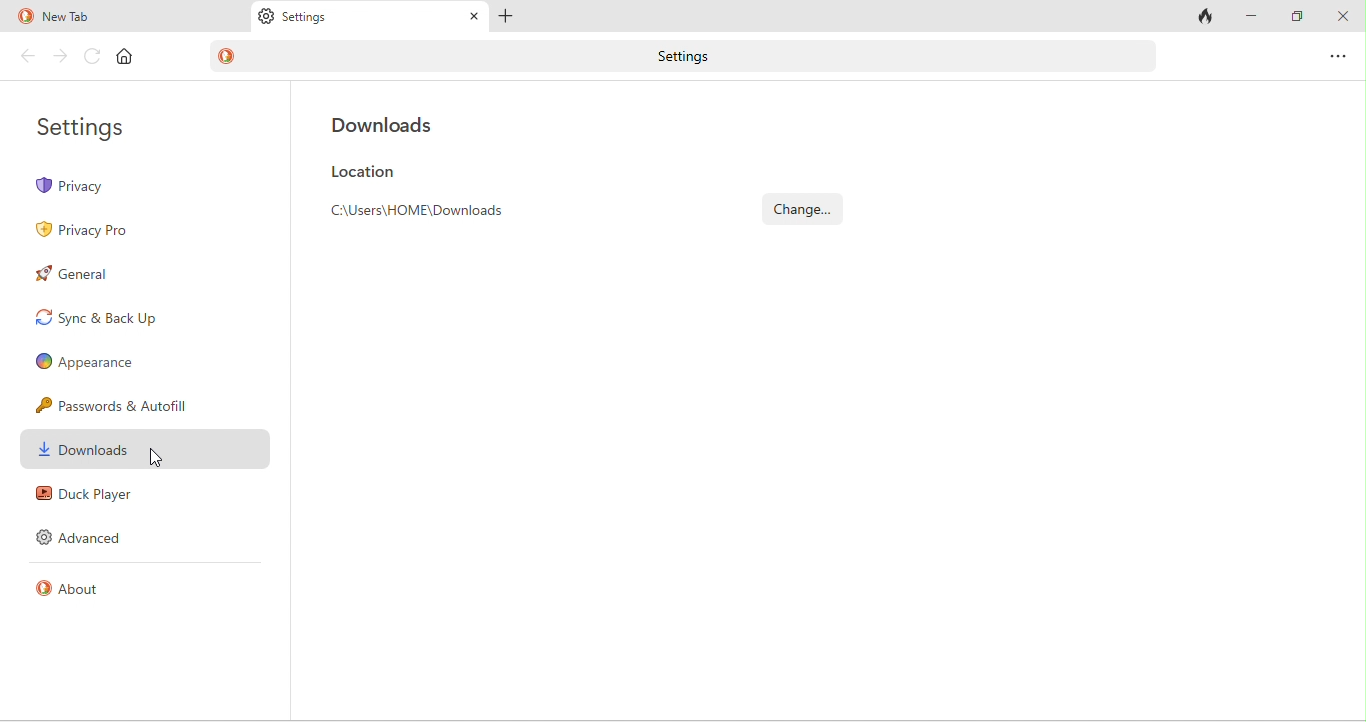 This screenshot has width=1366, height=722. I want to click on forward, so click(61, 57).